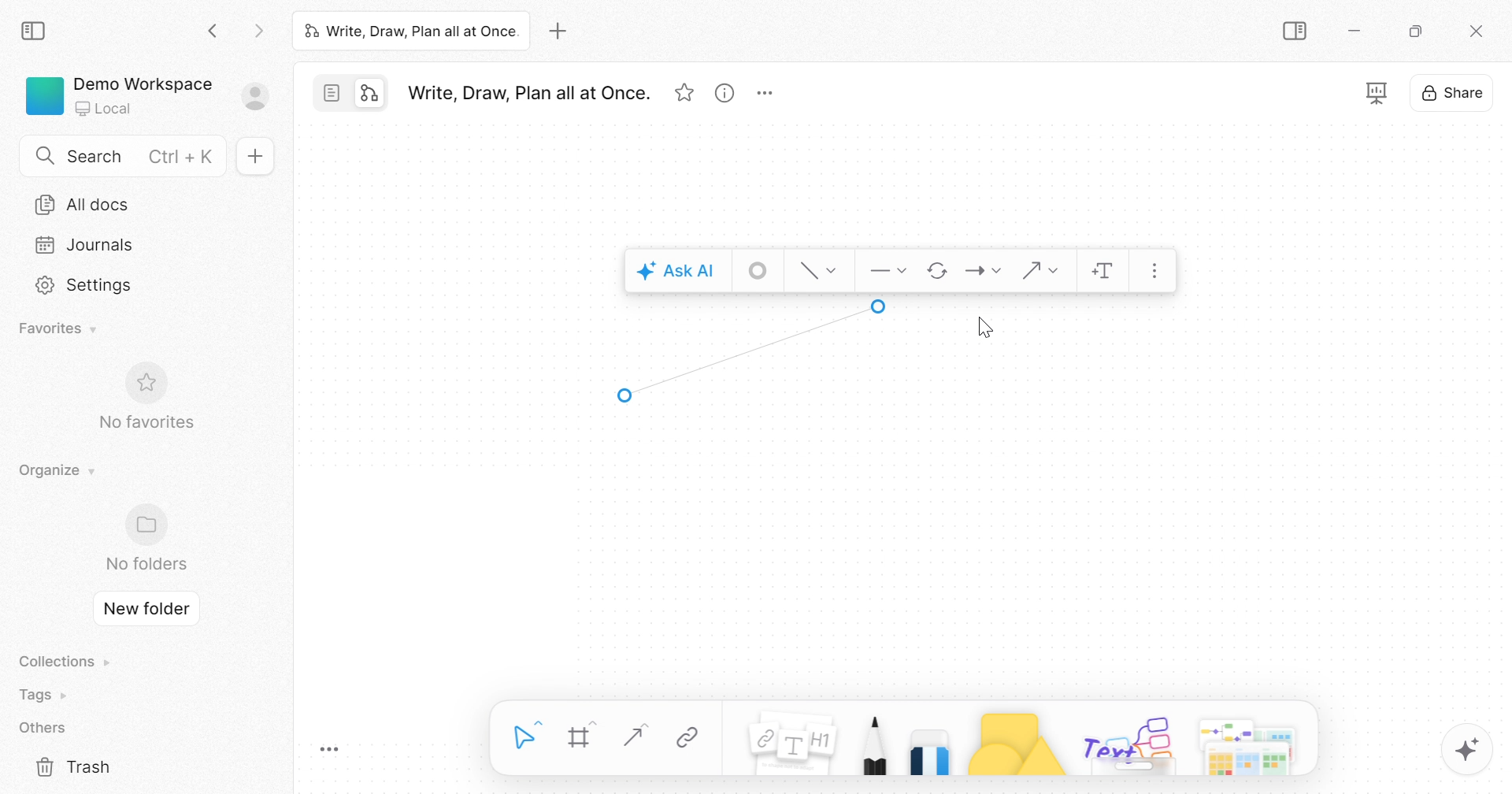 The image size is (1512, 794). I want to click on Switch, so click(355, 95).